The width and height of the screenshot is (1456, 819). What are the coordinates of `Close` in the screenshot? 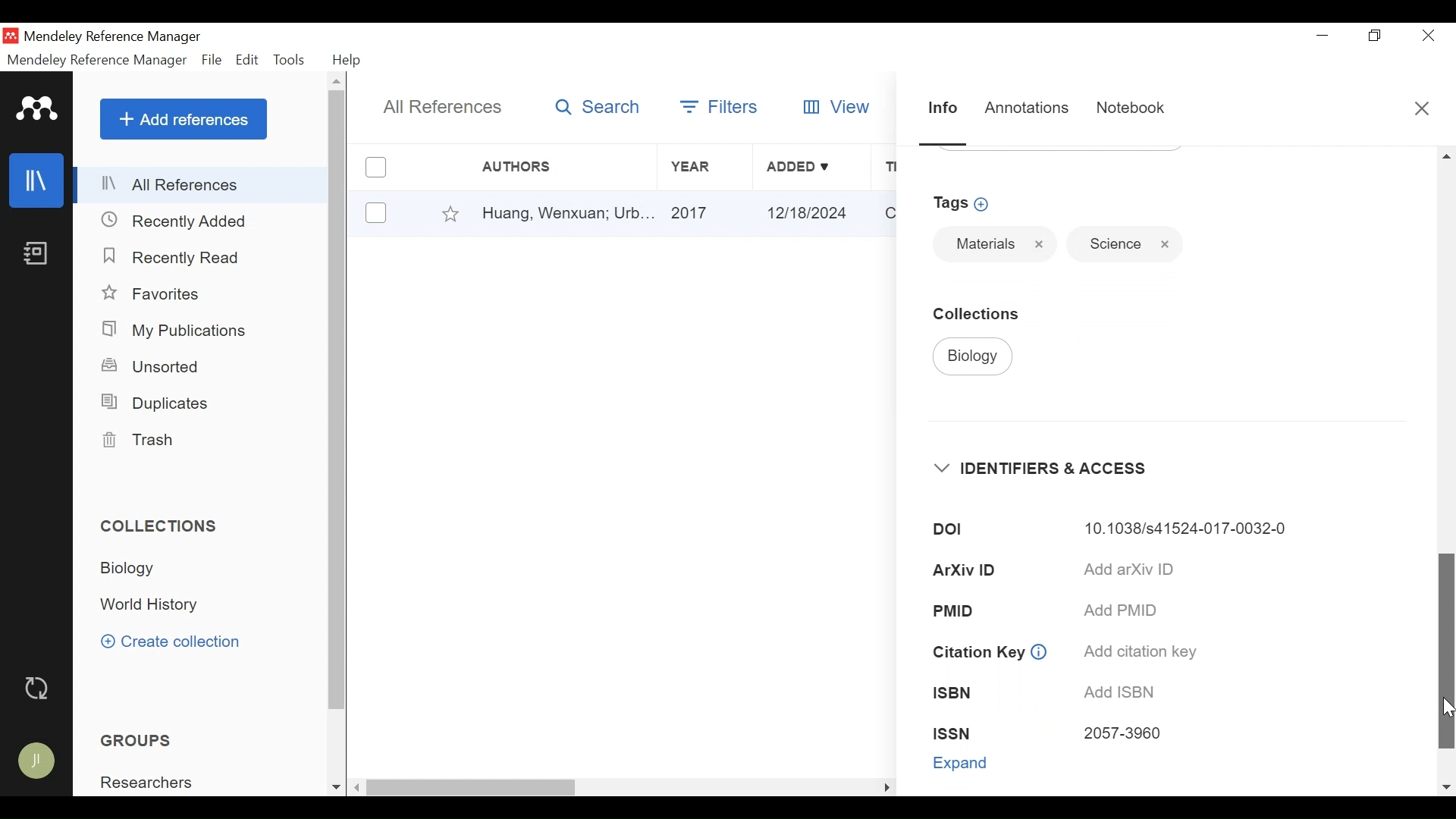 It's located at (1428, 35).